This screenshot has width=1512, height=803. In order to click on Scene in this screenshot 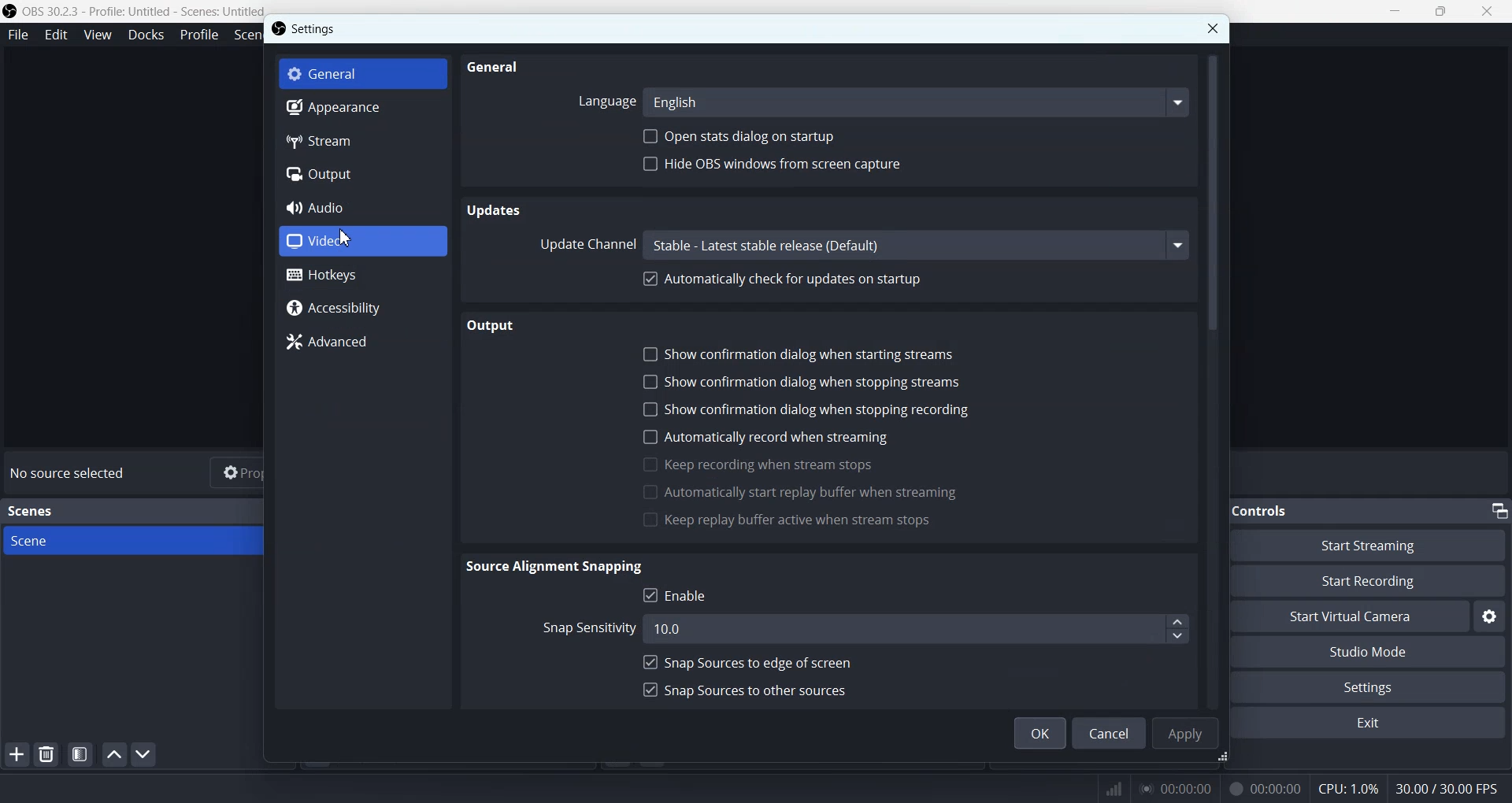, I will do `click(150, 541)`.